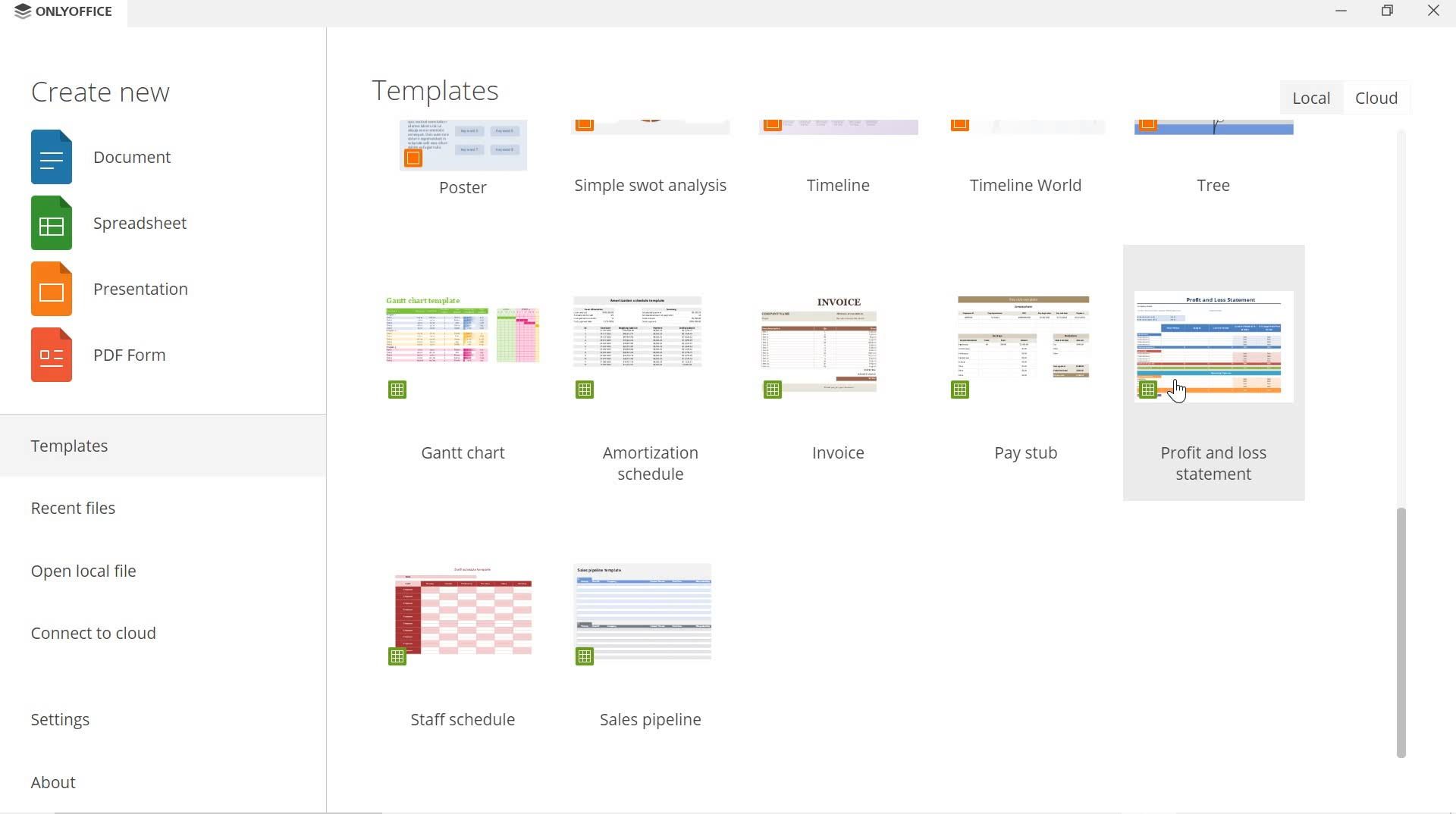 The width and height of the screenshot is (1456, 814). Describe the element at coordinates (159, 447) in the screenshot. I see `templates` at that location.